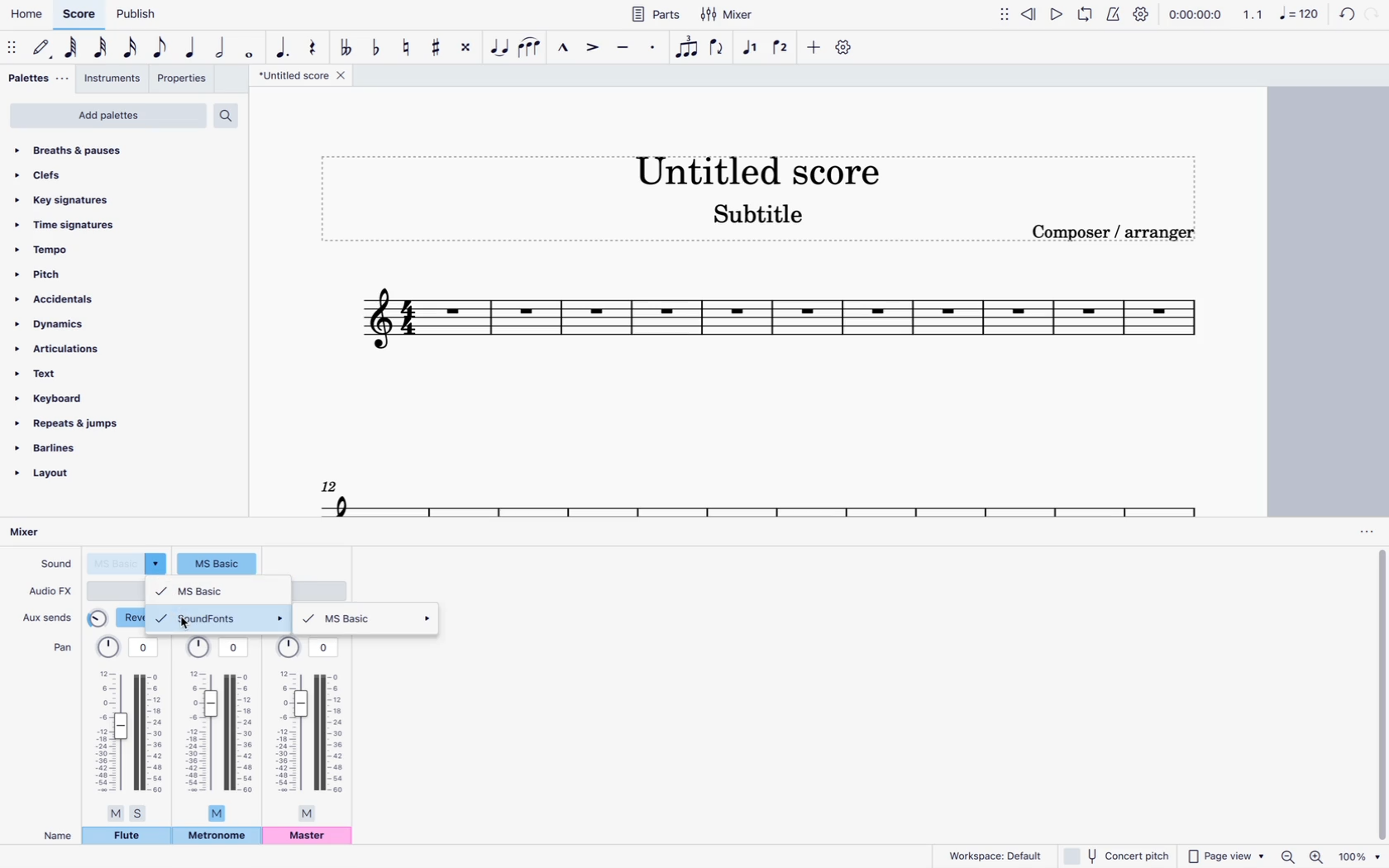 The width and height of the screenshot is (1389, 868). Describe the element at coordinates (1344, 16) in the screenshot. I see `refresh` at that location.